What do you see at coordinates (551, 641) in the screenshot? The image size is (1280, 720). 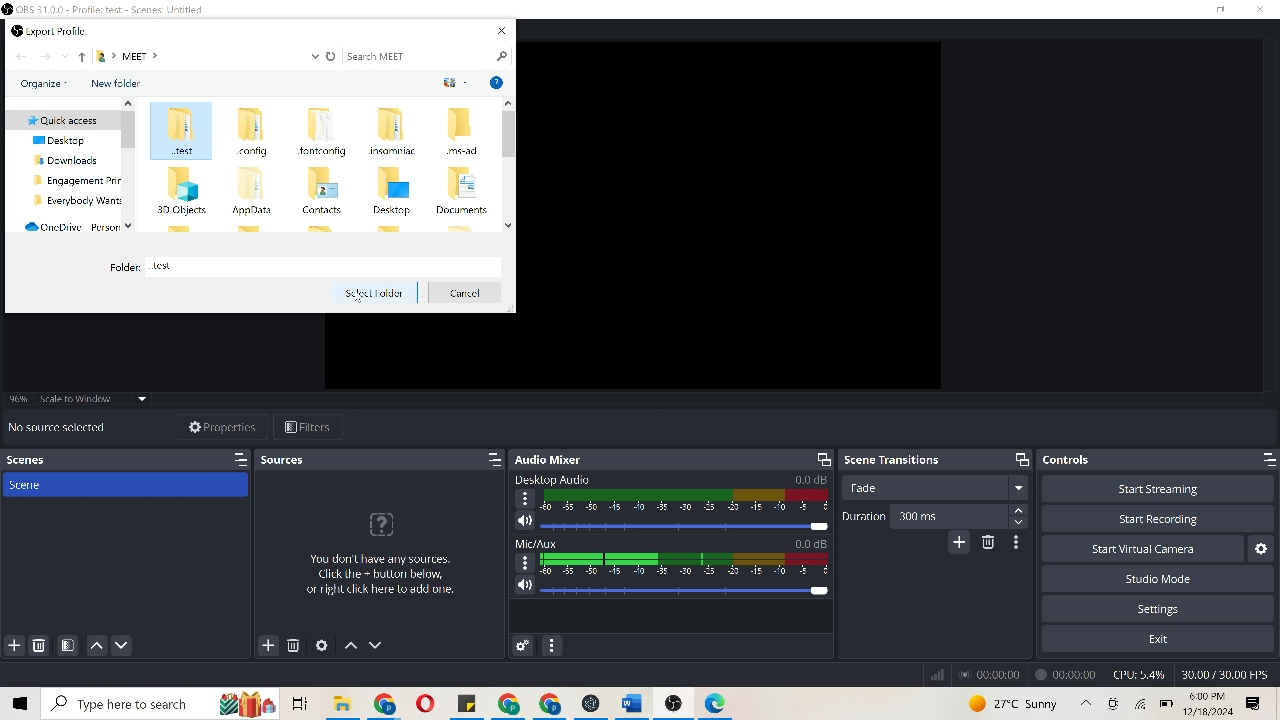 I see `audio mixer menu` at bounding box center [551, 641].